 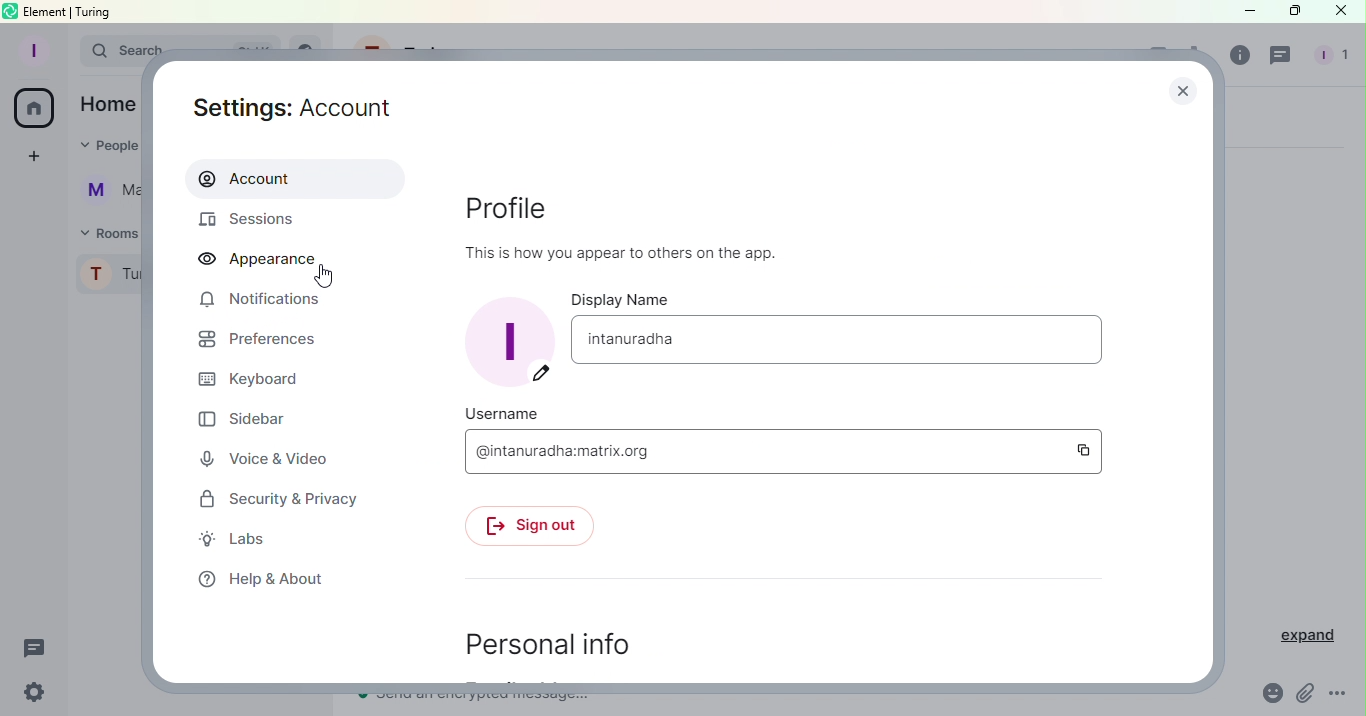 I want to click on Close, so click(x=1342, y=12).